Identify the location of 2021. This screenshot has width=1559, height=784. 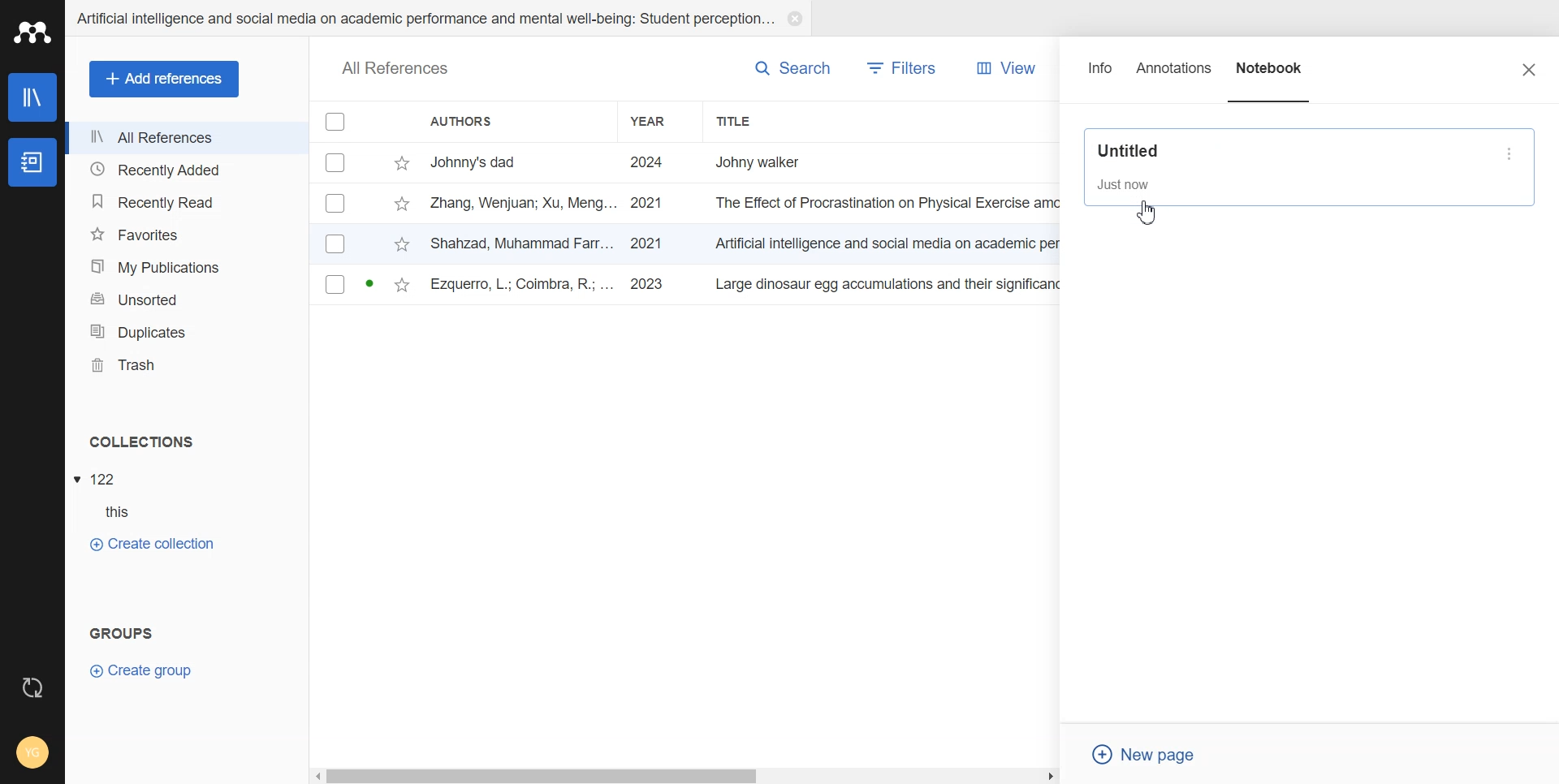
(647, 204).